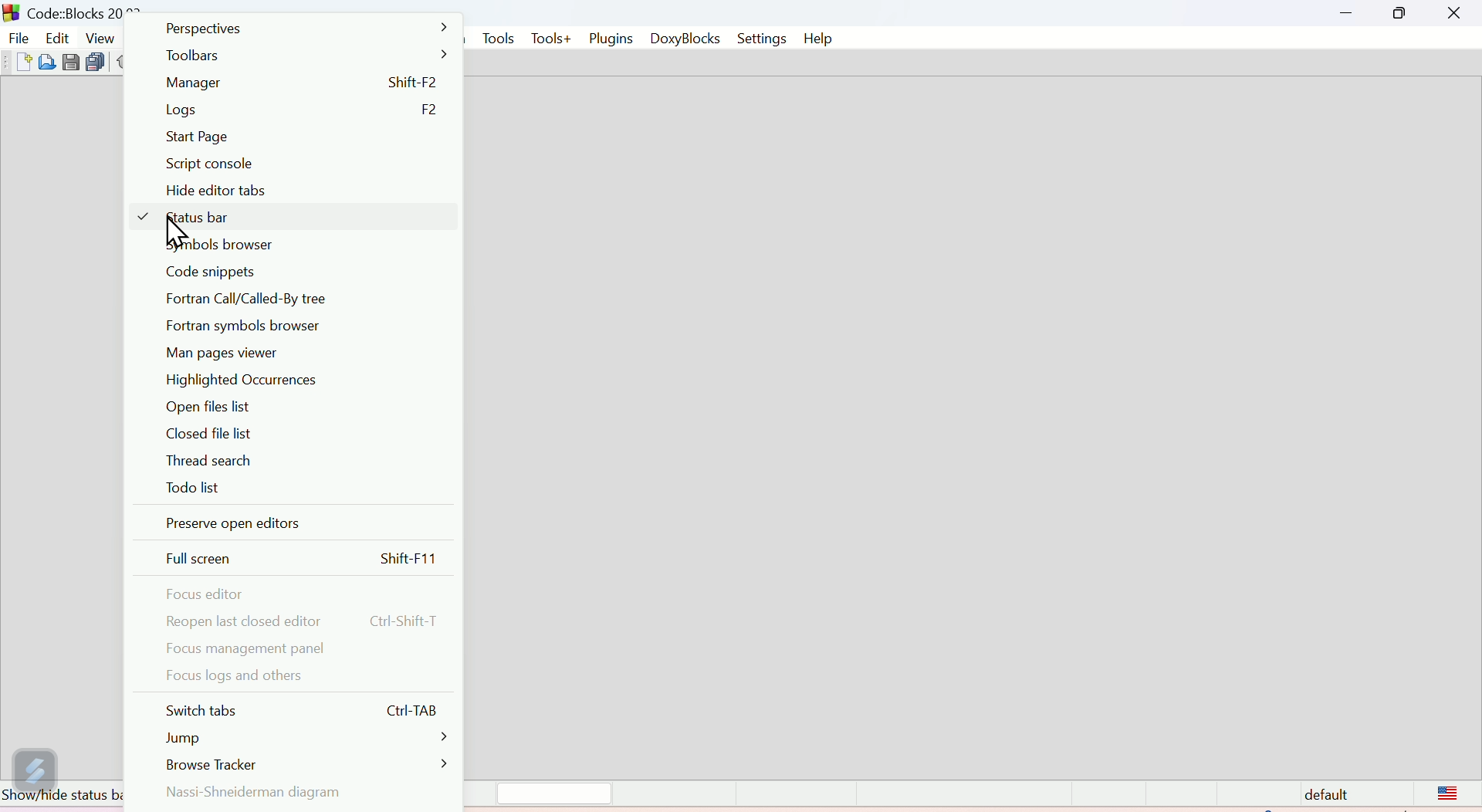 The image size is (1482, 812). What do you see at coordinates (1399, 15) in the screenshot?
I see `Maximise` at bounding box center [1399, 15].